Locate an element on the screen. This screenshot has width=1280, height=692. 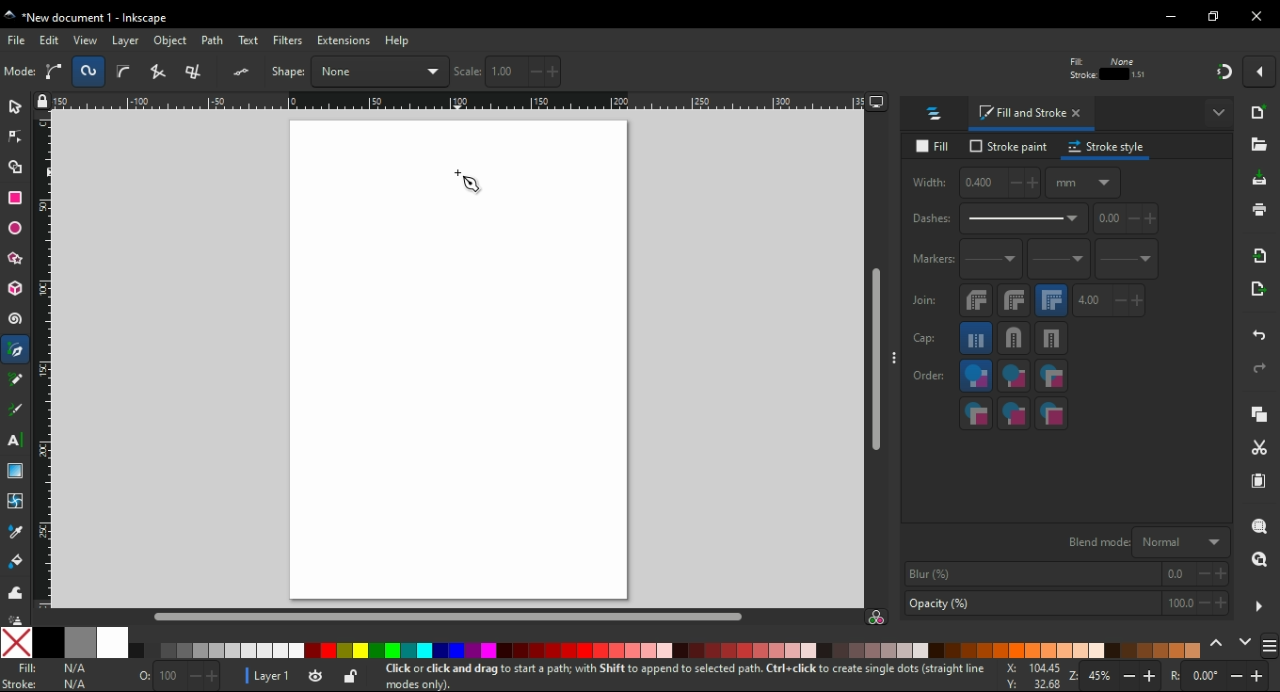
zoom drawing is located at coordinates (1259, 565).